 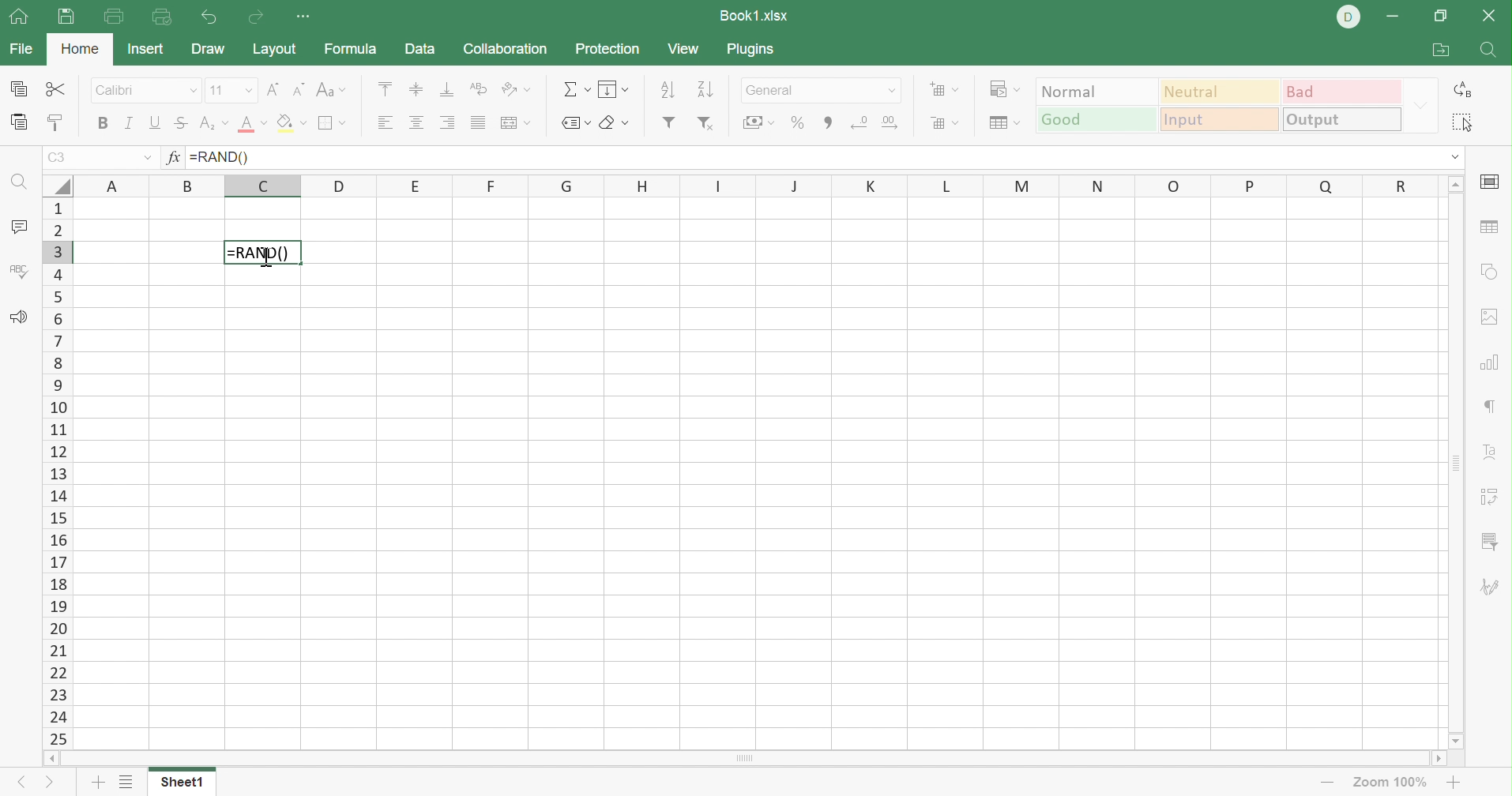 I want to click on Cut, so click(x=56, y=88).